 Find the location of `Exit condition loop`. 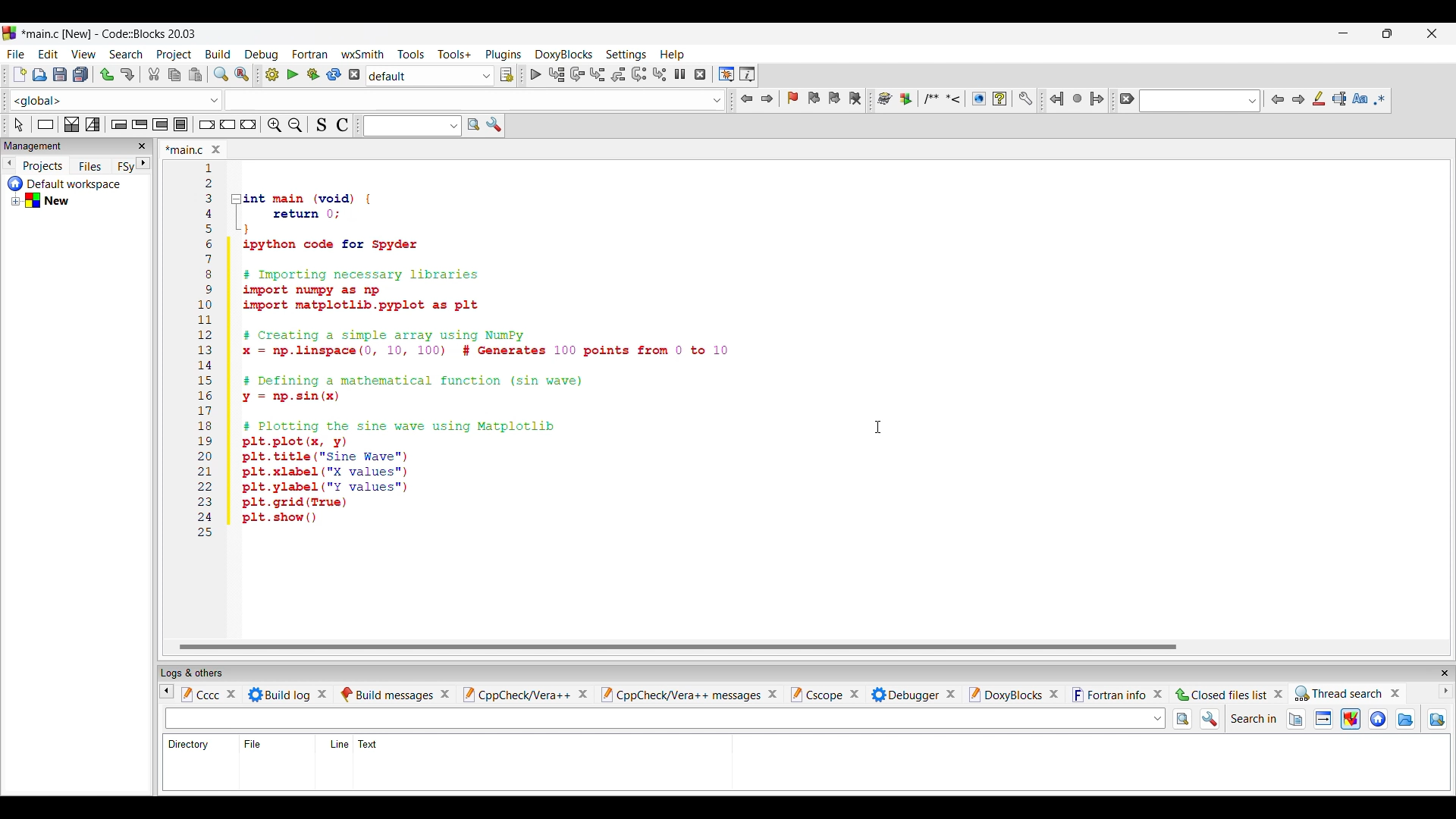

Exit condition loop is located at coordinates (143, 122).